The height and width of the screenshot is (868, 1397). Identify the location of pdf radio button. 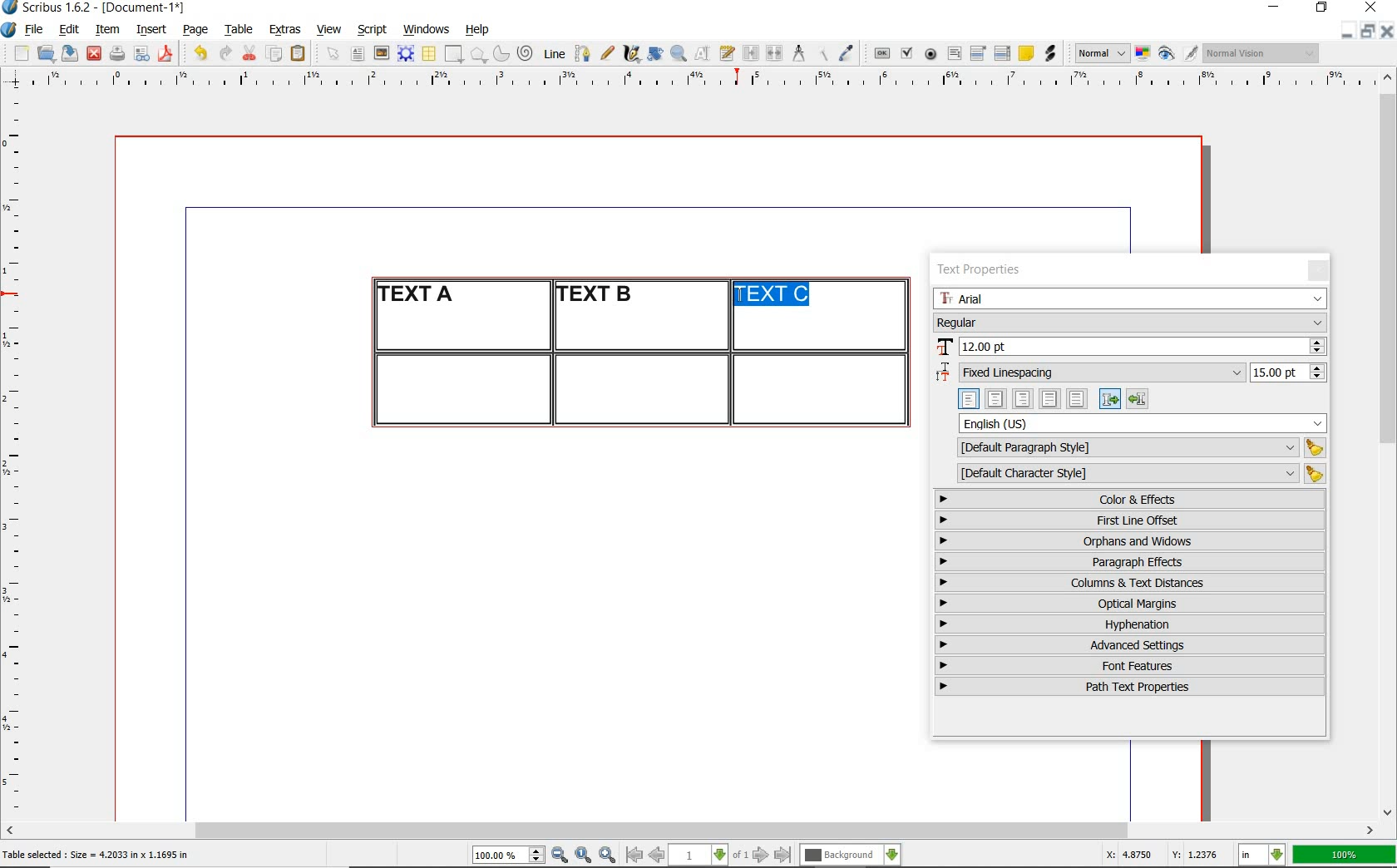
(931, 56).